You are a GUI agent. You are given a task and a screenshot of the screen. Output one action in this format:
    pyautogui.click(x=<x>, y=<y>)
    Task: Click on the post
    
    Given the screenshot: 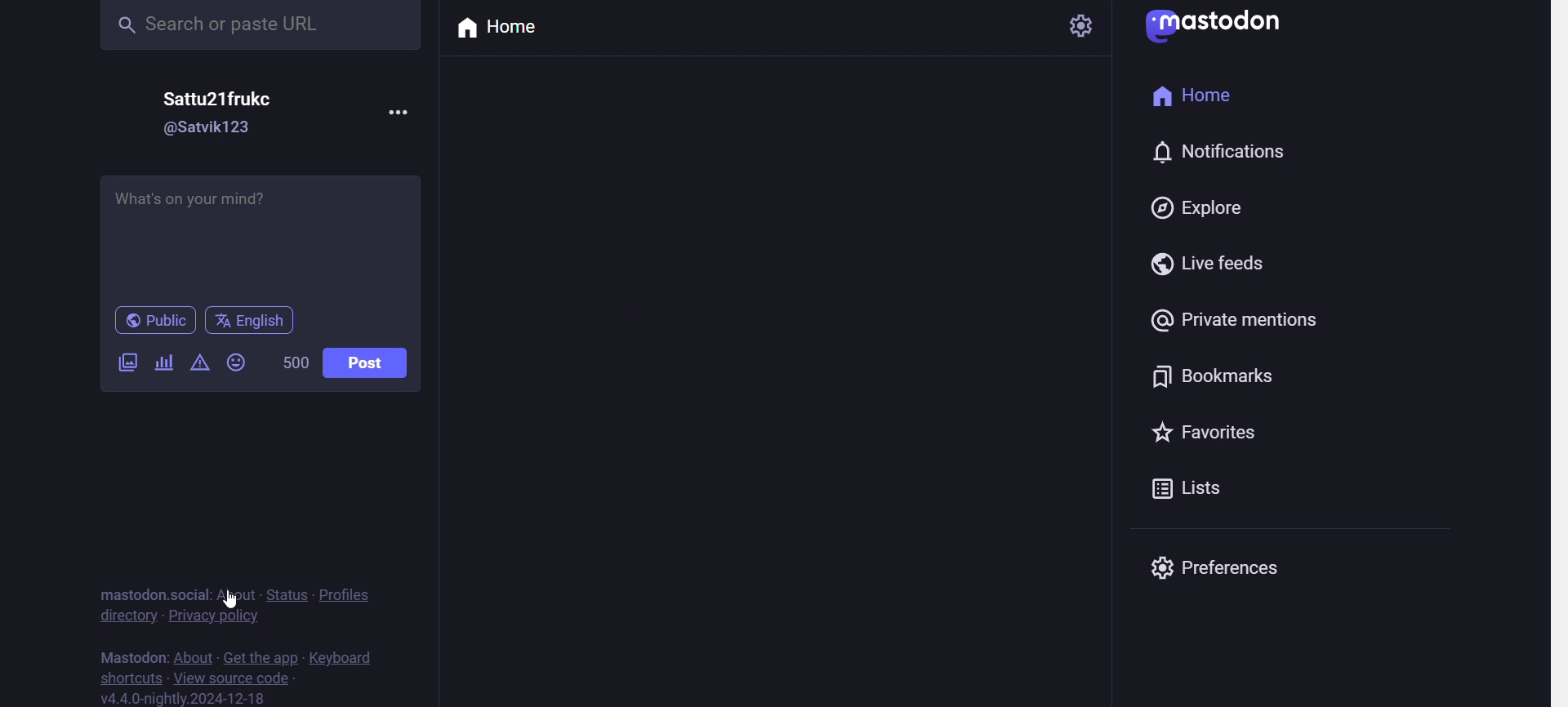 What is the action you would take?
    pyautogui.click(x=367, y=360)
    